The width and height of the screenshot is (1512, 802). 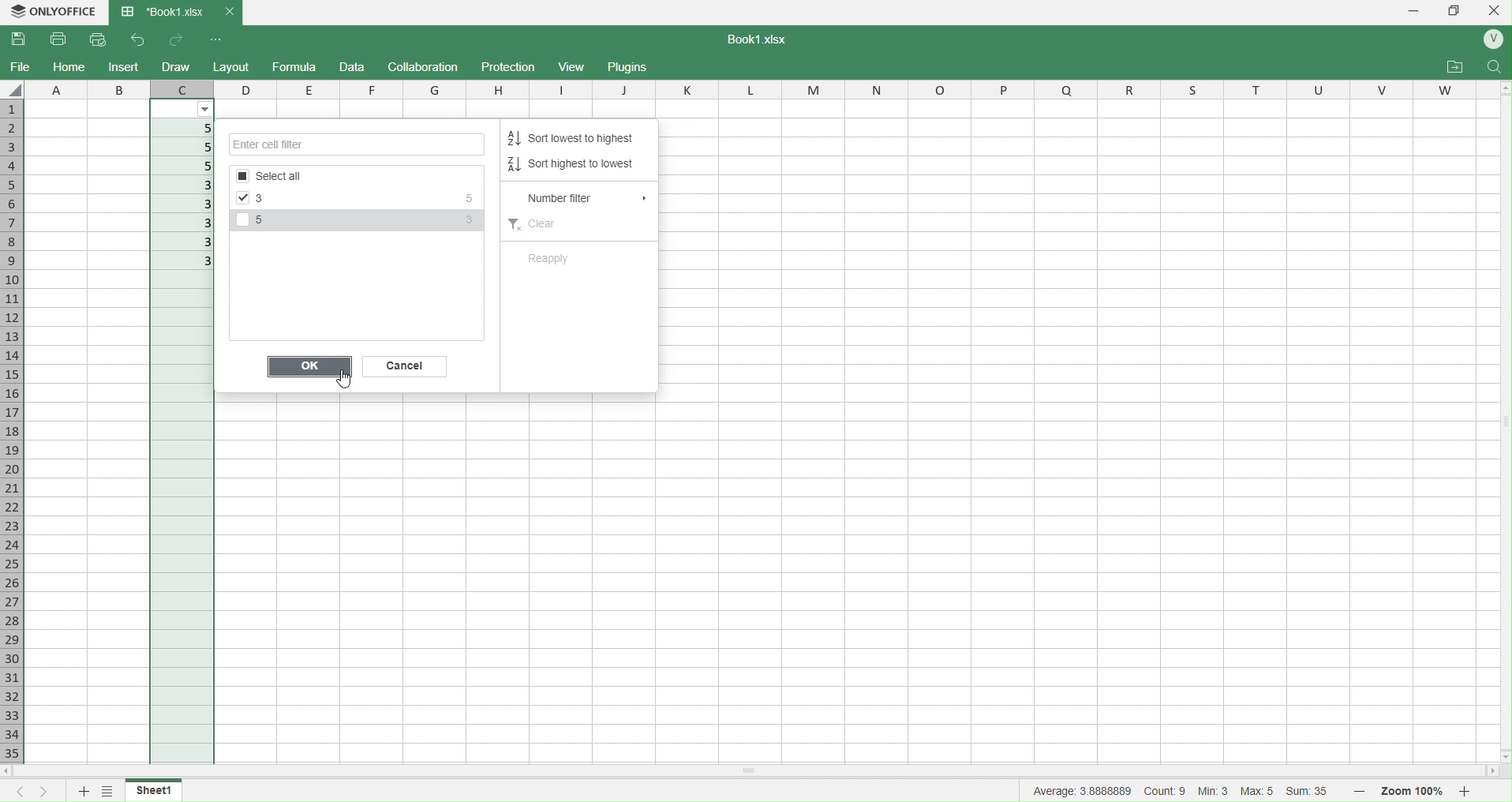 I want to click on Draw, so click(x=175, y=66).